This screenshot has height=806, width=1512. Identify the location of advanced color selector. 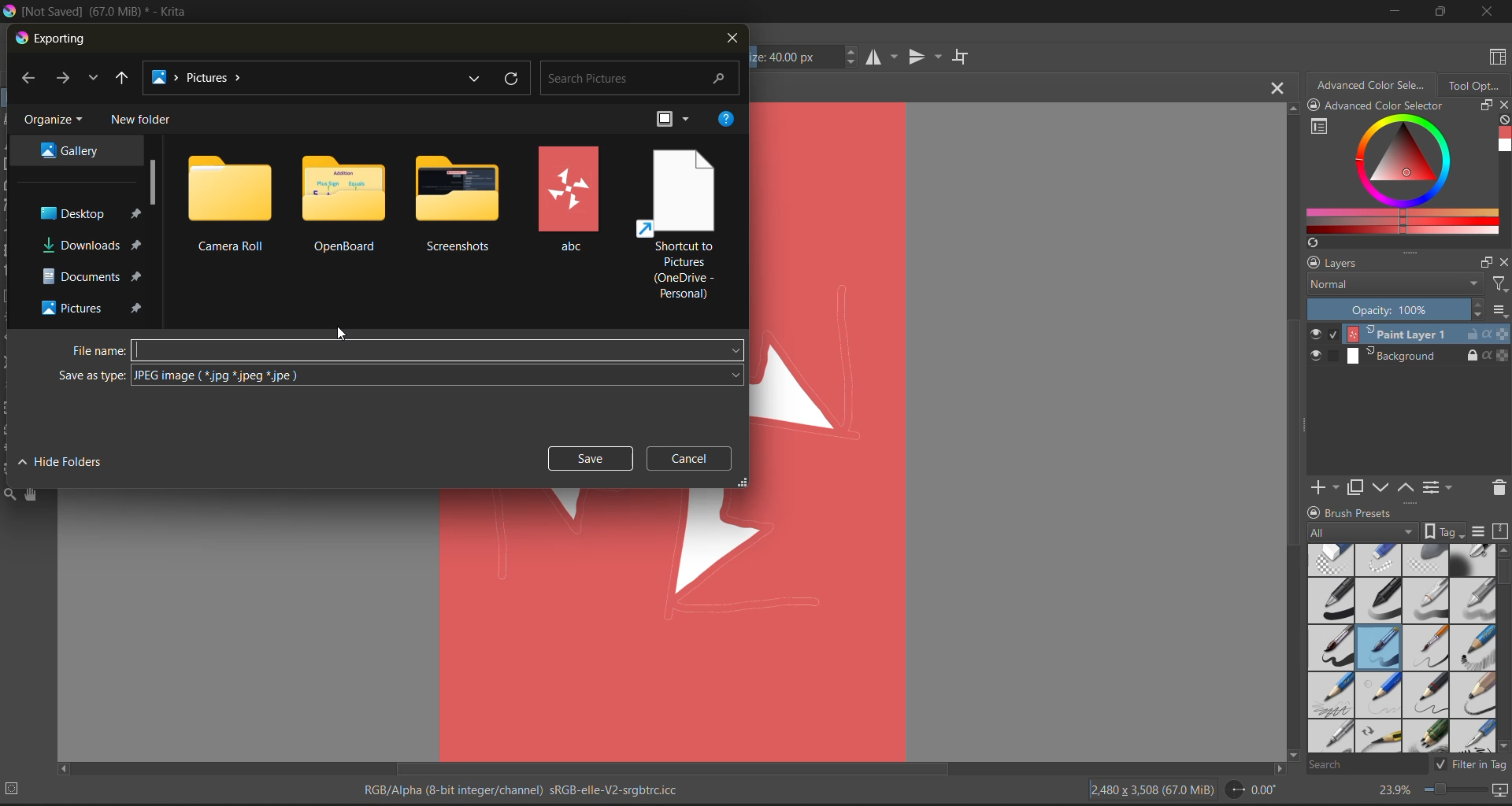
(1402, 176).